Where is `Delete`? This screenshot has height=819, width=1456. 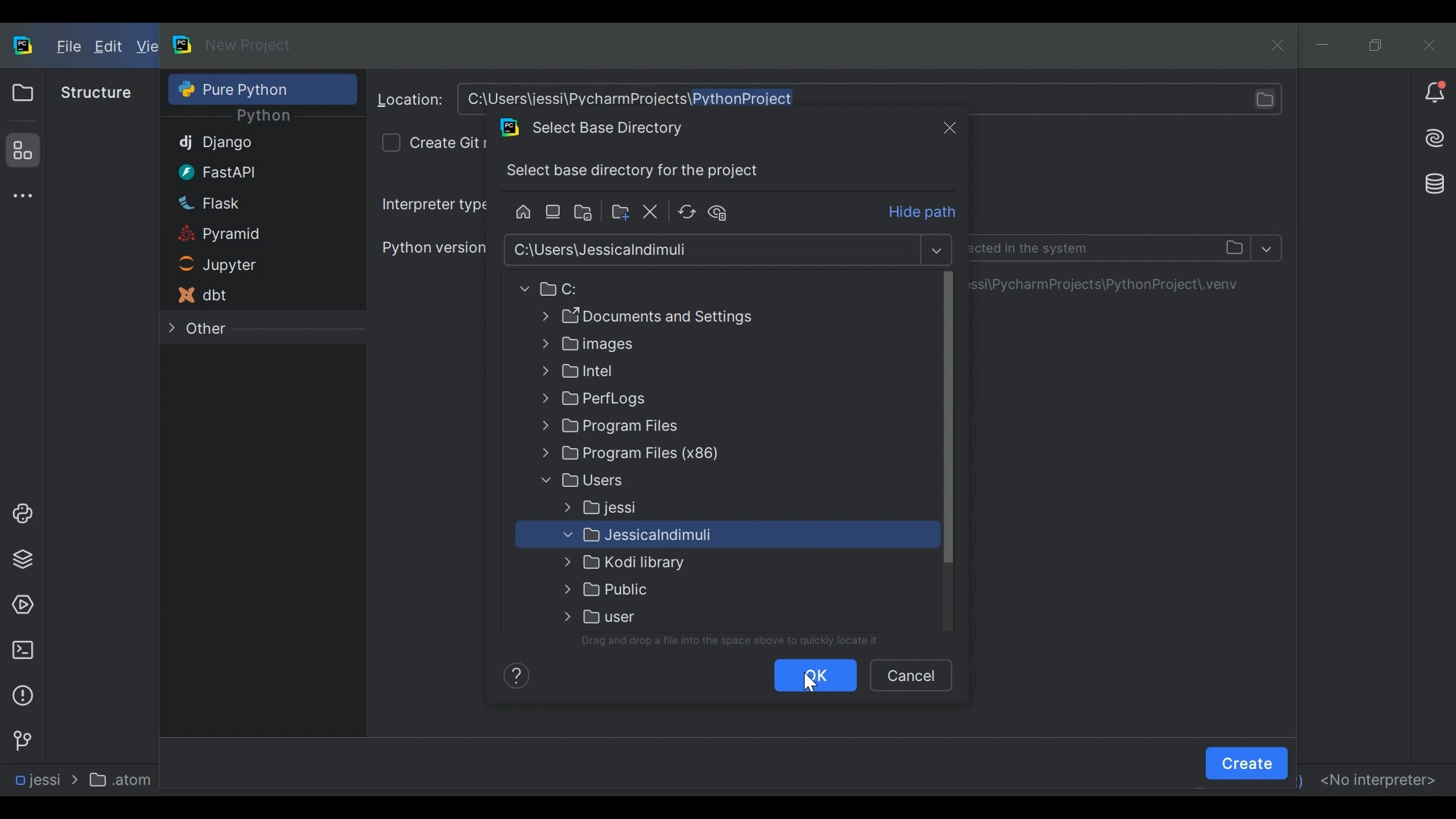
Delete is located at coordinates (651, 212).